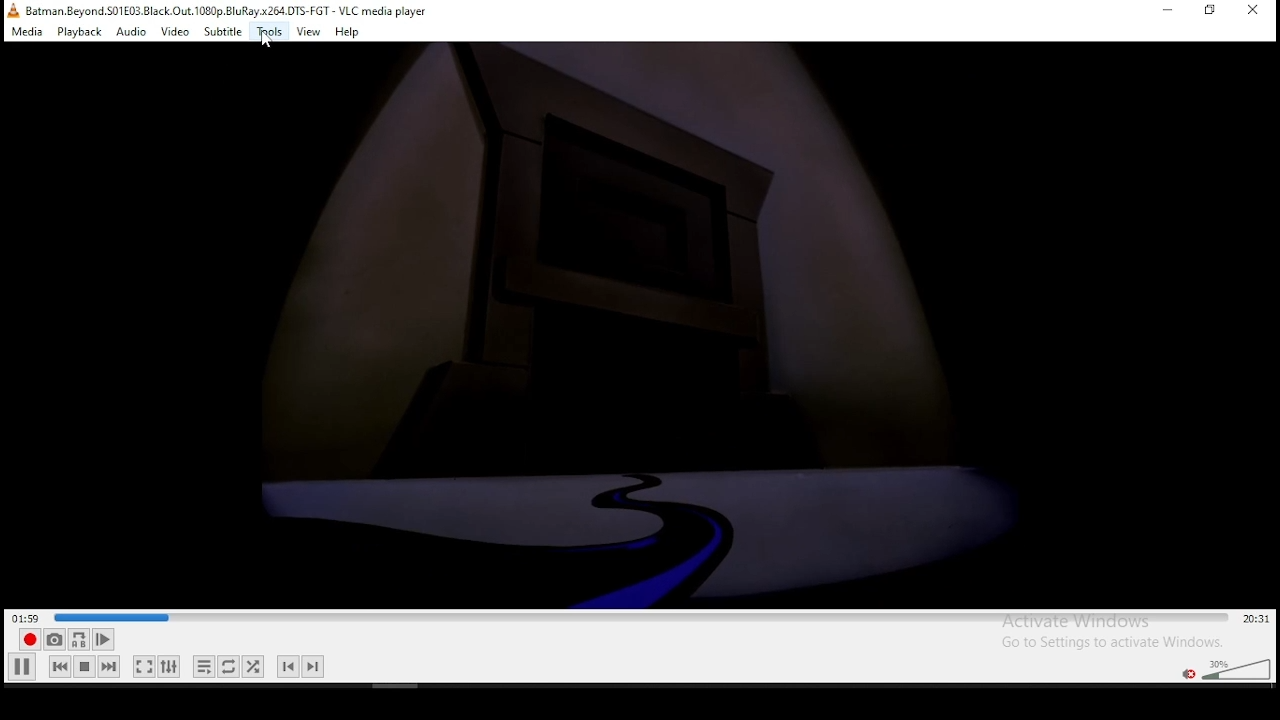 The height and width of the screenshot is (720, 1280). Describe the element at coordinates (1257, 619) in the screenshot. I see `remaining/total time` at that location.